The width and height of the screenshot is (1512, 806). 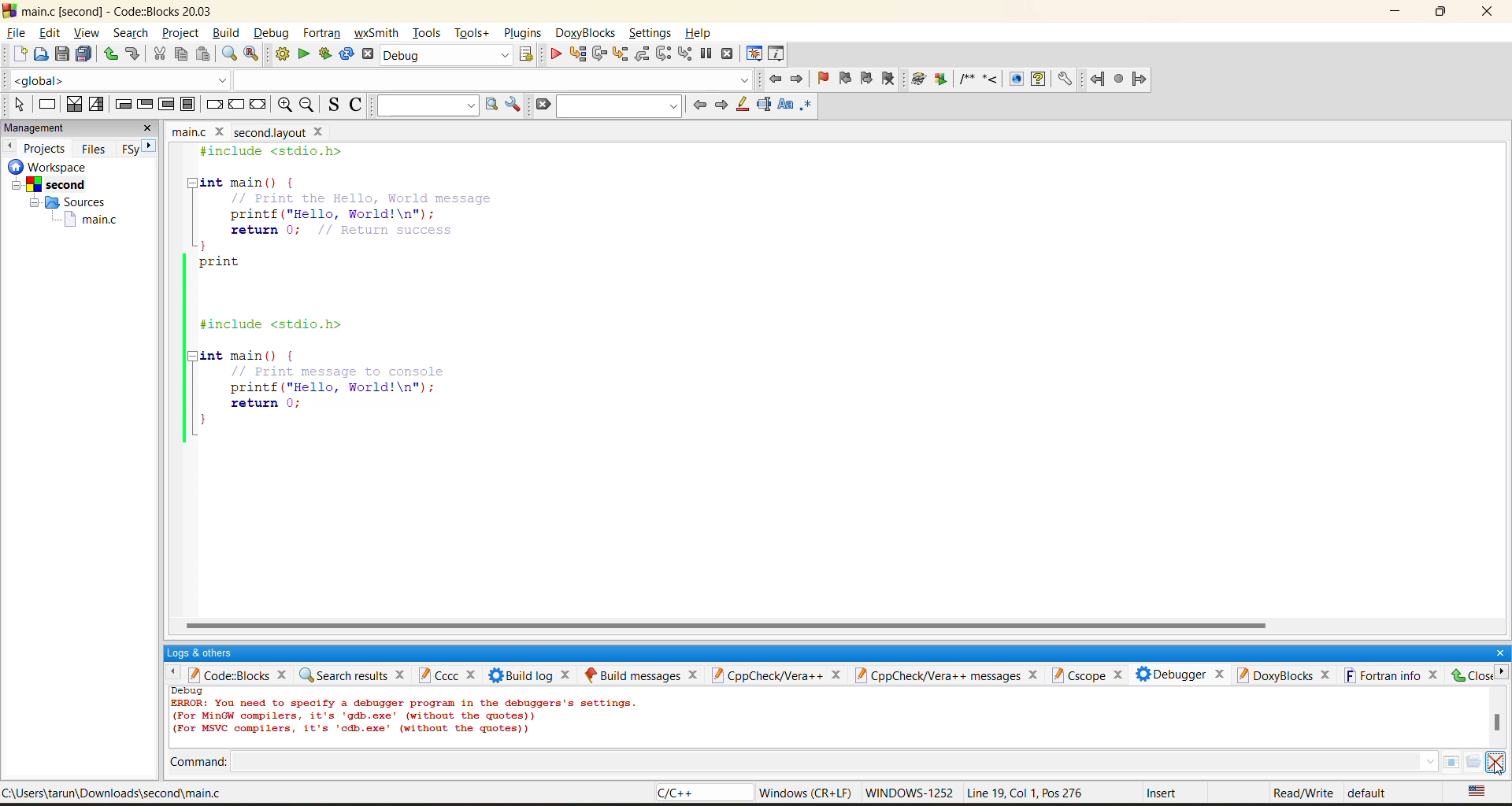 I want to click on debugging console, so click(x=404, y=717).